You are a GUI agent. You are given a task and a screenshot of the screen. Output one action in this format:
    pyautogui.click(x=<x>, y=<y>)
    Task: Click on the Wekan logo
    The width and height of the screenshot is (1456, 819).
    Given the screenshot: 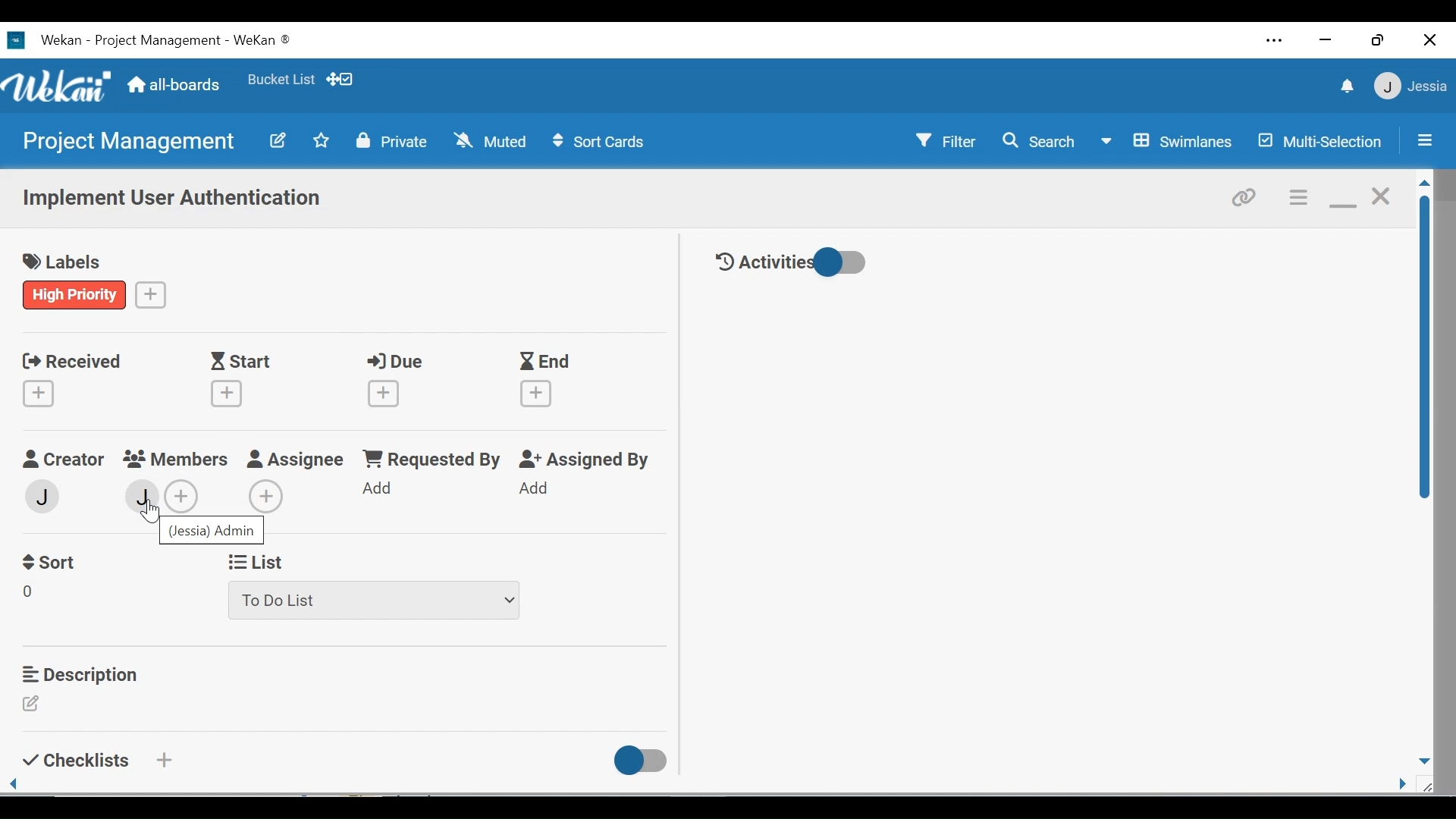 What is the action you would take?
    pyautogui.click(x=60, y=86)
    